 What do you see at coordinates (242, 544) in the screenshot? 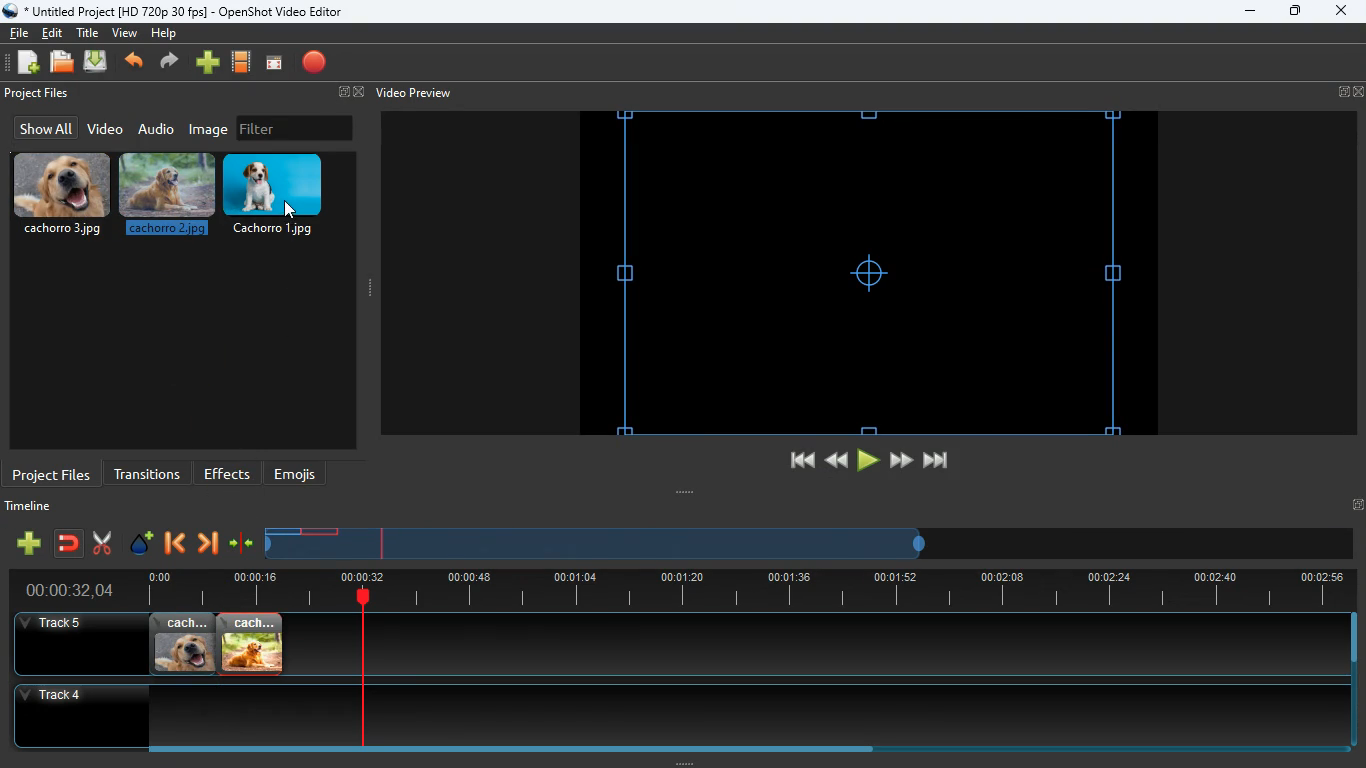
I see `compress` at bounding box center [242, 544].